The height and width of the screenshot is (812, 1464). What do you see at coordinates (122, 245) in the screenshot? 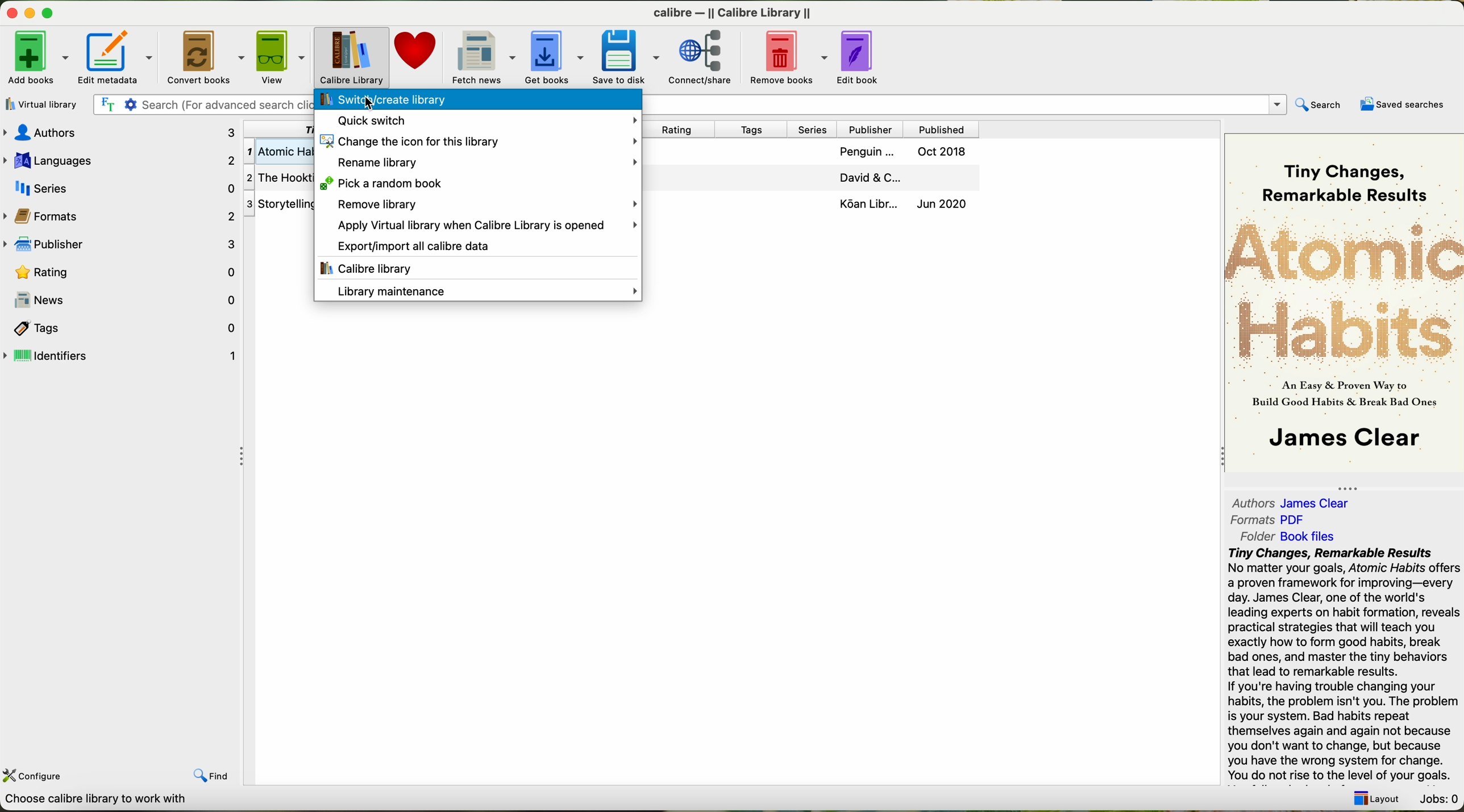
I see `publisher` at bounding box center [122, 245].